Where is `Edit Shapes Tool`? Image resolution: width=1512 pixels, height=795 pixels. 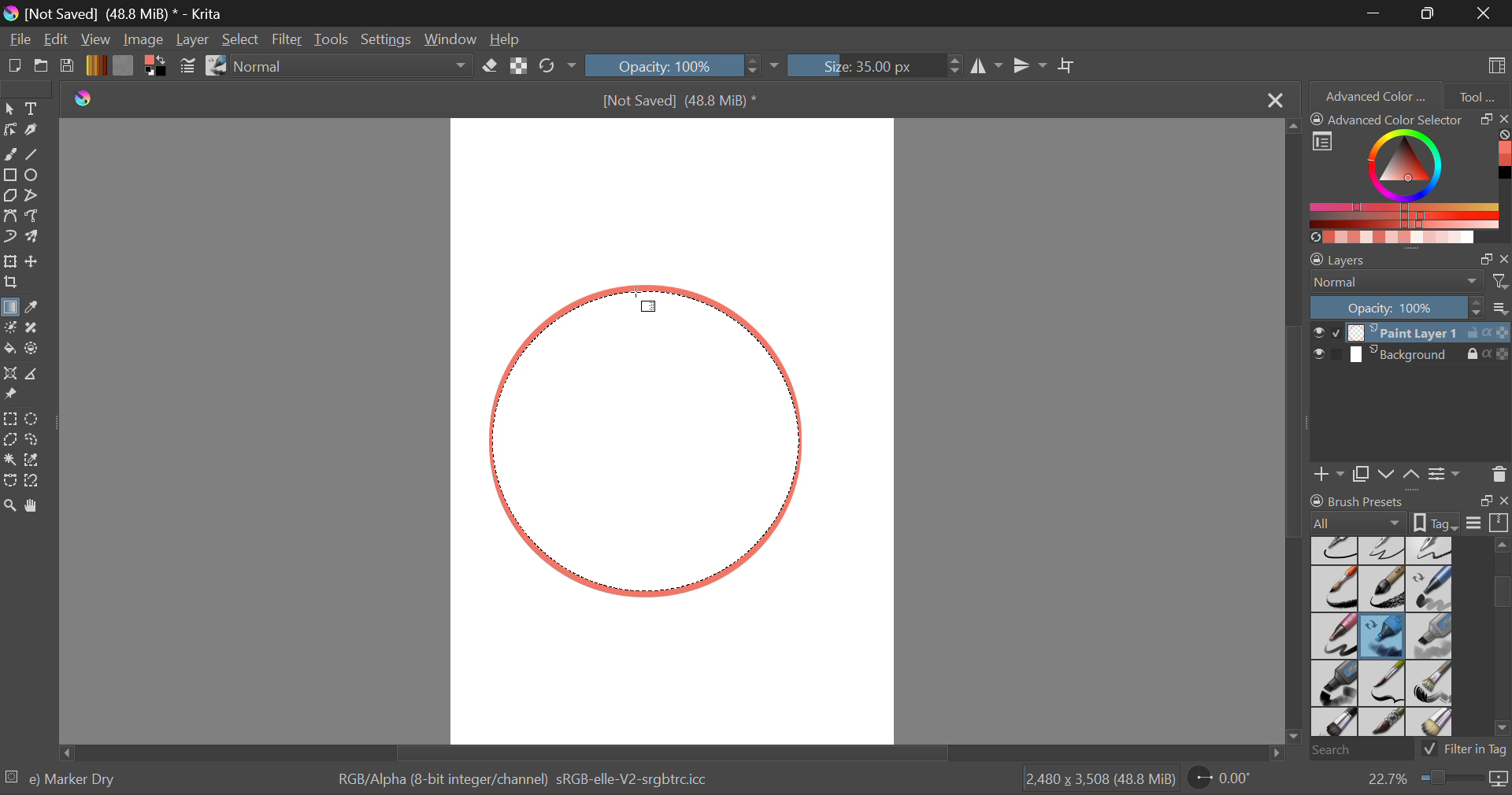 Edit Shapes Tool is located at coordinates (9, 130).